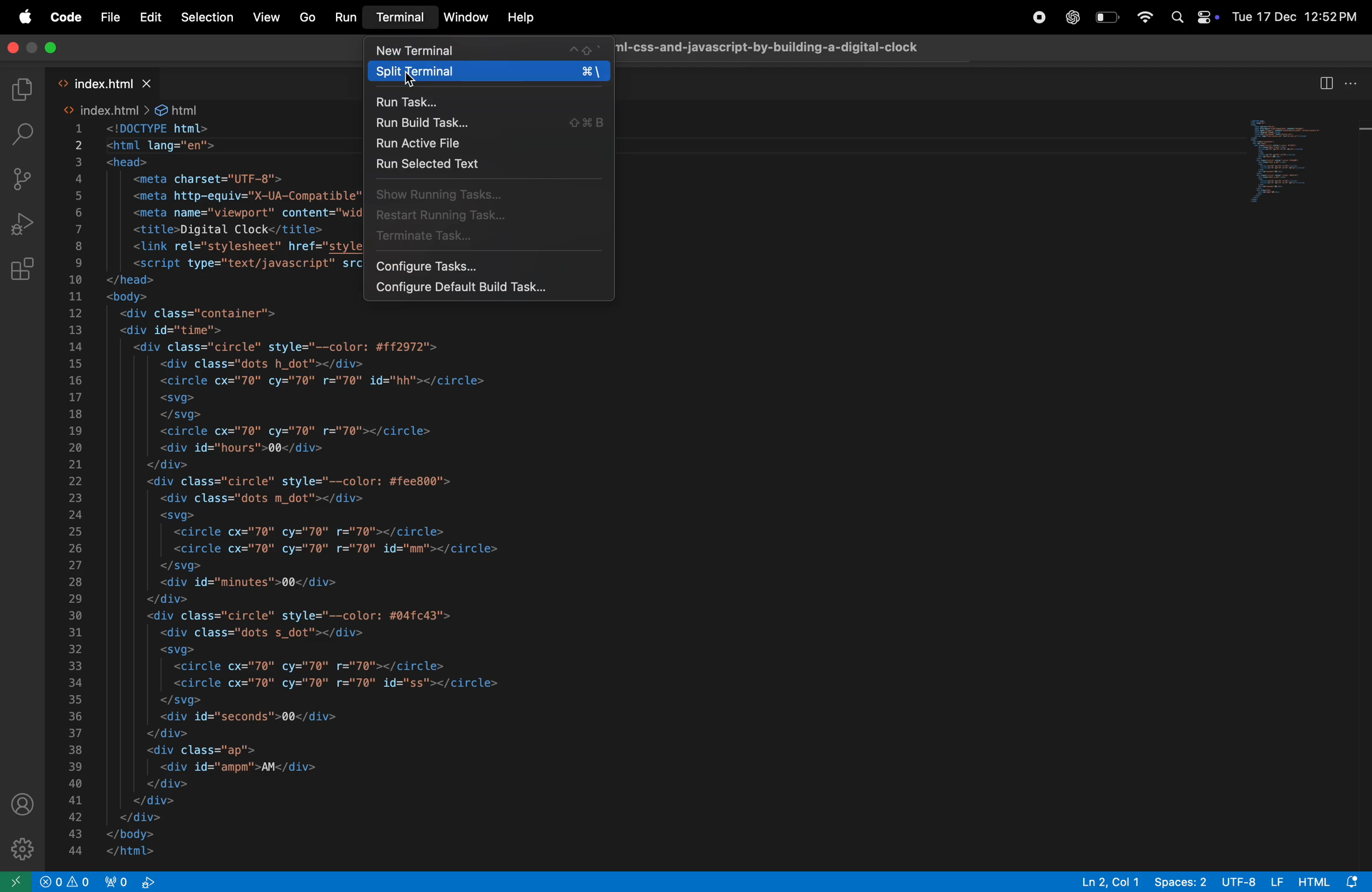  What do you see at coordinates (1324, 83) in the screenshot?
I see `split` at bounding box center [1324, 83].